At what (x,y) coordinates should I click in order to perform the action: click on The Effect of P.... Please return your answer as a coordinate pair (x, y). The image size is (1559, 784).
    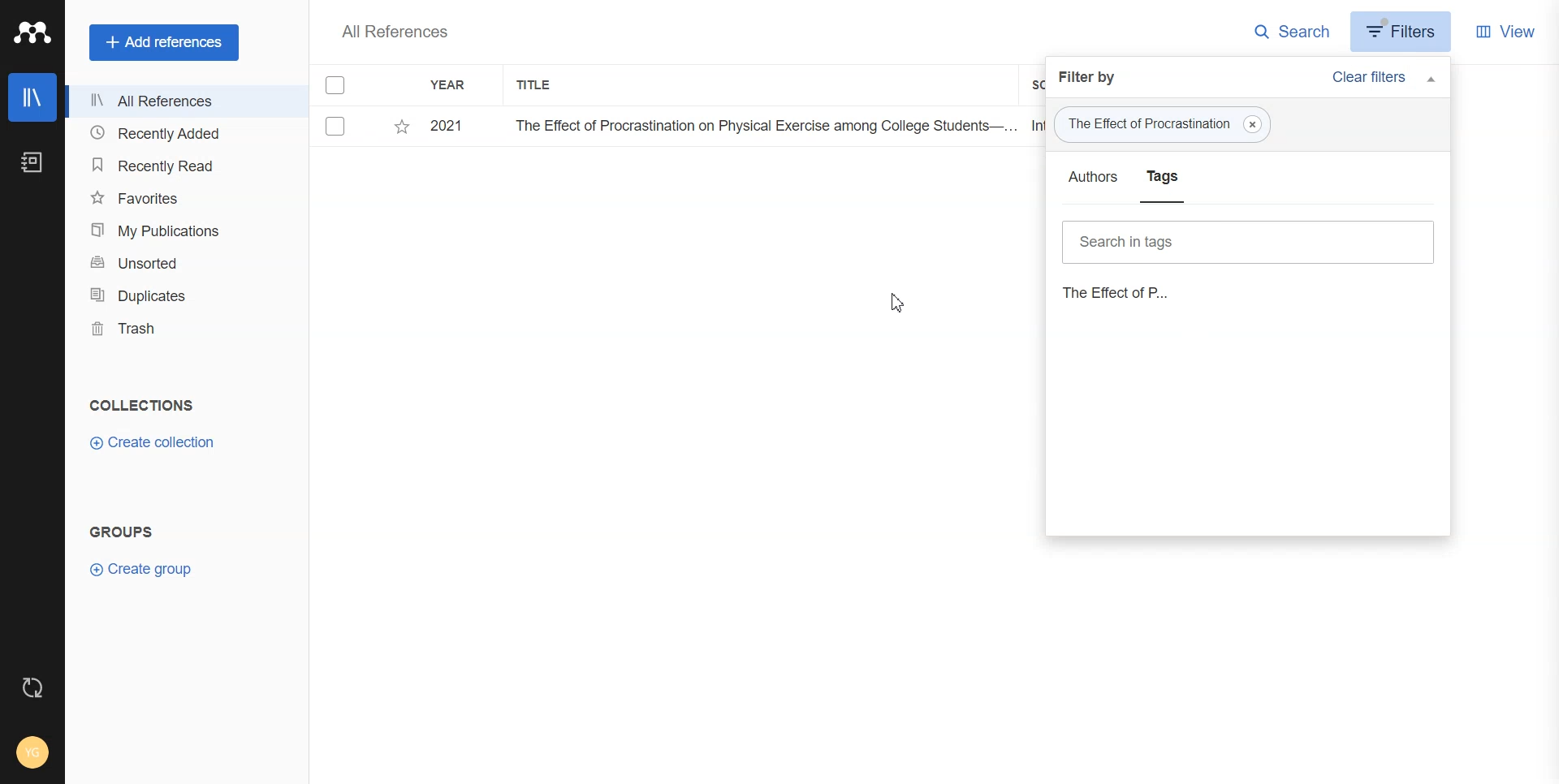
    Looking at the image, I should click on (1142, 292).